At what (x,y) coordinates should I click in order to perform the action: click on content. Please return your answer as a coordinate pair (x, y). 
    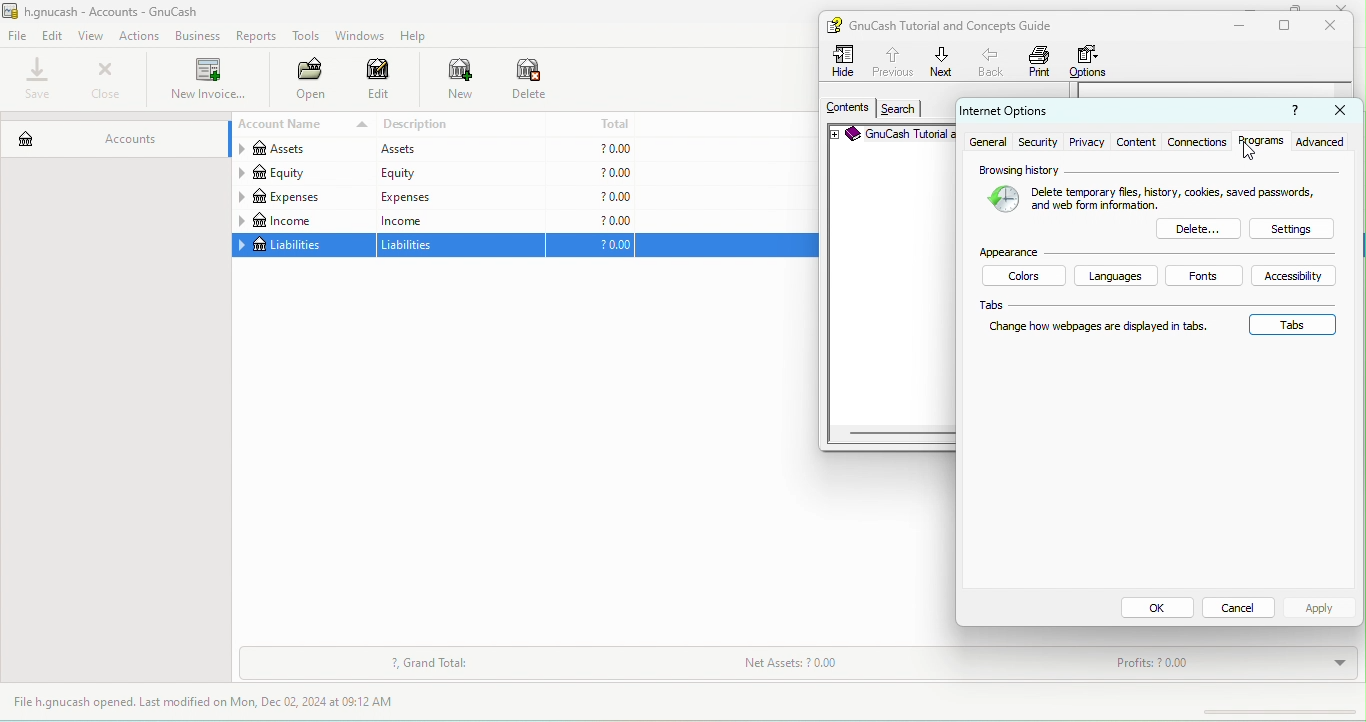
    Looking at the image, I should click on (1136, 142).